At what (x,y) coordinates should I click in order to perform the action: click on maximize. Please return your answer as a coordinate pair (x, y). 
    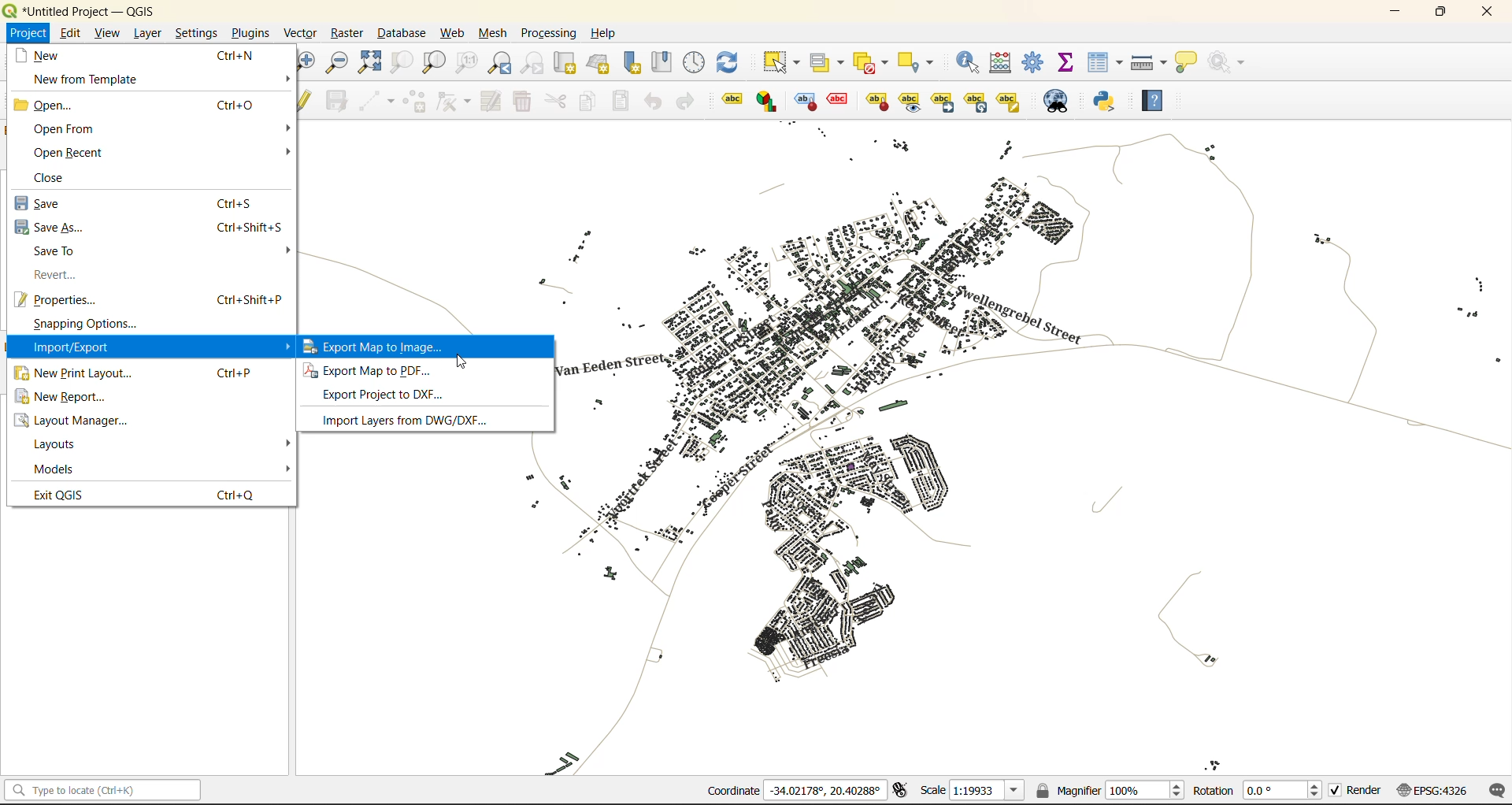
    Looking at the image, I should click on (1441, 12).